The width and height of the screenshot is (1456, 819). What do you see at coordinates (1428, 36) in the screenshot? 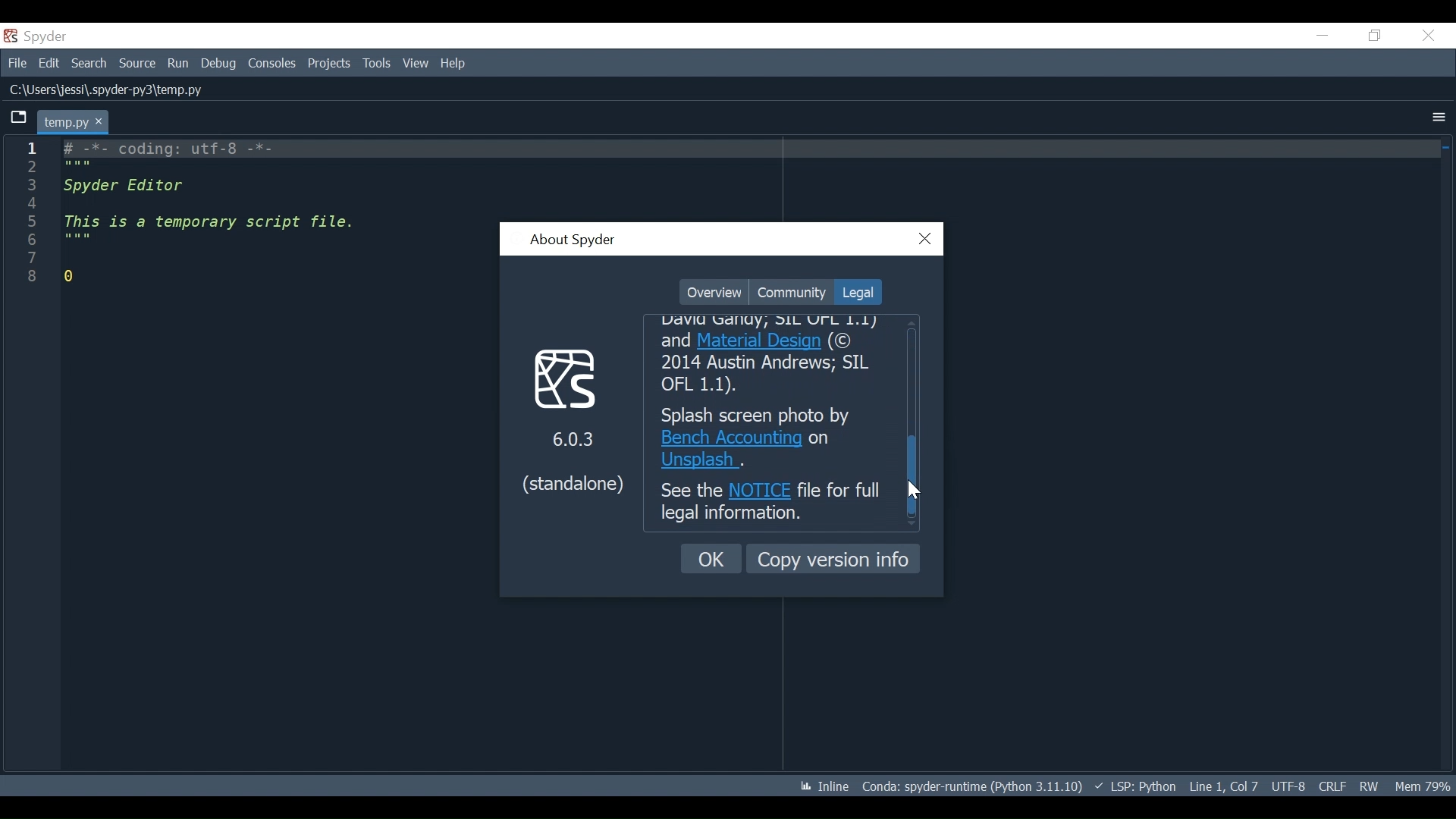
I see `Close` at bounding box center [1428, 36].